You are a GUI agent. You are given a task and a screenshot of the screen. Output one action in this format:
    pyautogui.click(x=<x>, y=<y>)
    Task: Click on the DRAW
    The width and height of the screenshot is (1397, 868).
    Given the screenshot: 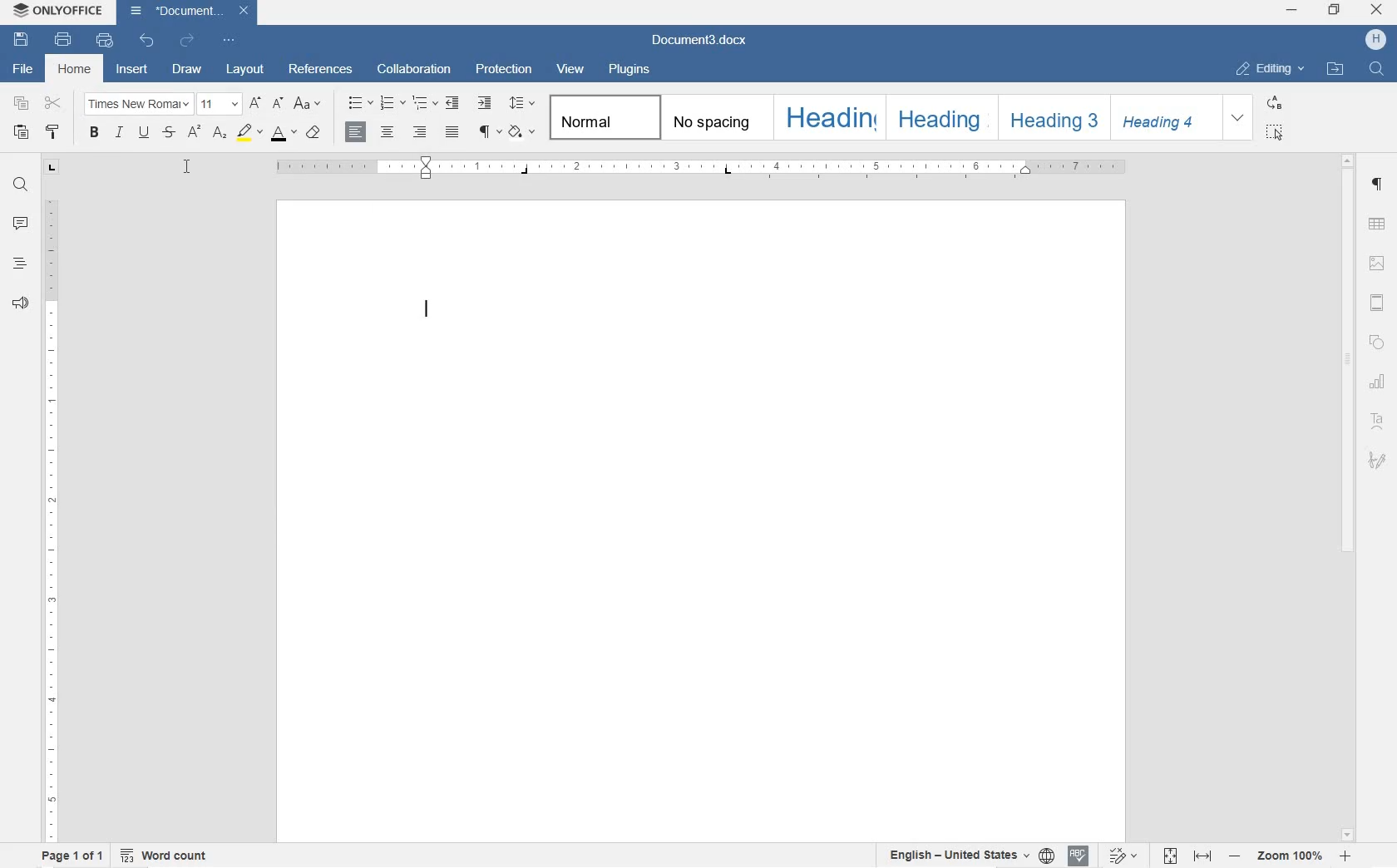 What is the action you would take?
    pyautogui.click(x=188, y=67)
    